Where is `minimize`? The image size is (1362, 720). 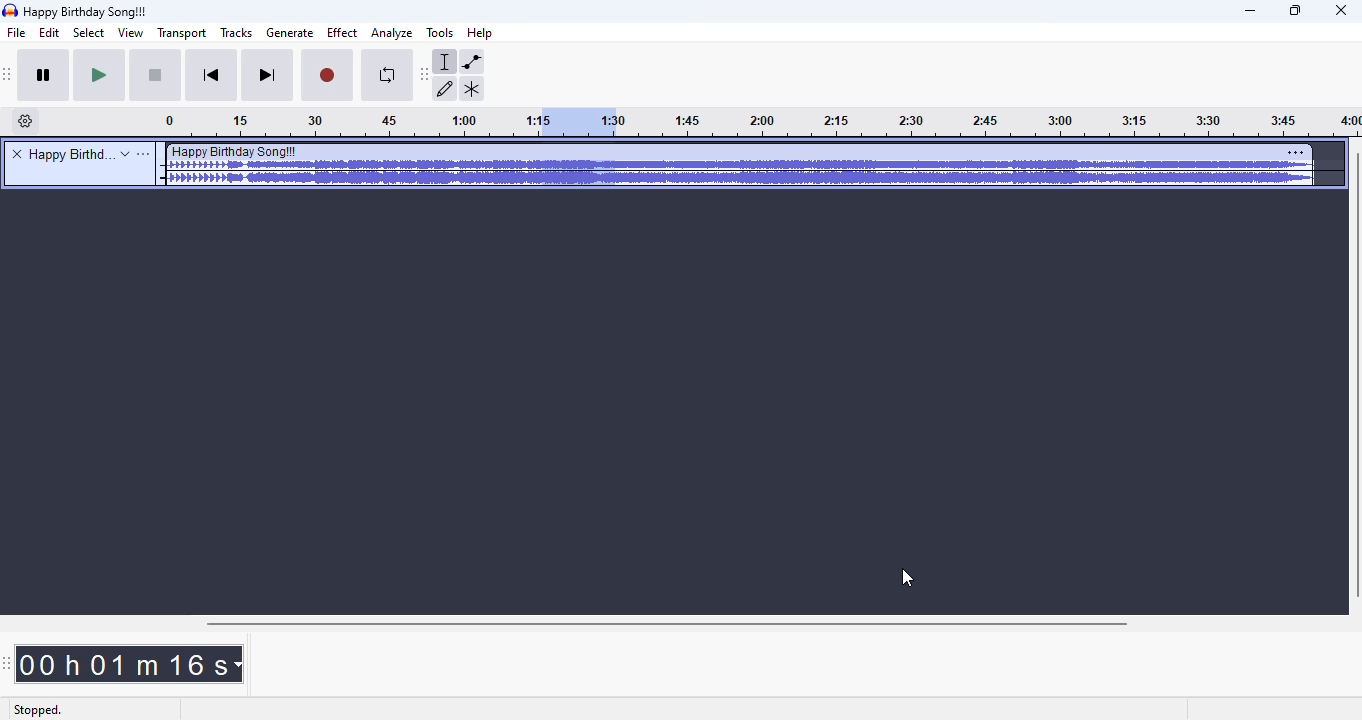
minimize is located at coordinates (1251, 12).